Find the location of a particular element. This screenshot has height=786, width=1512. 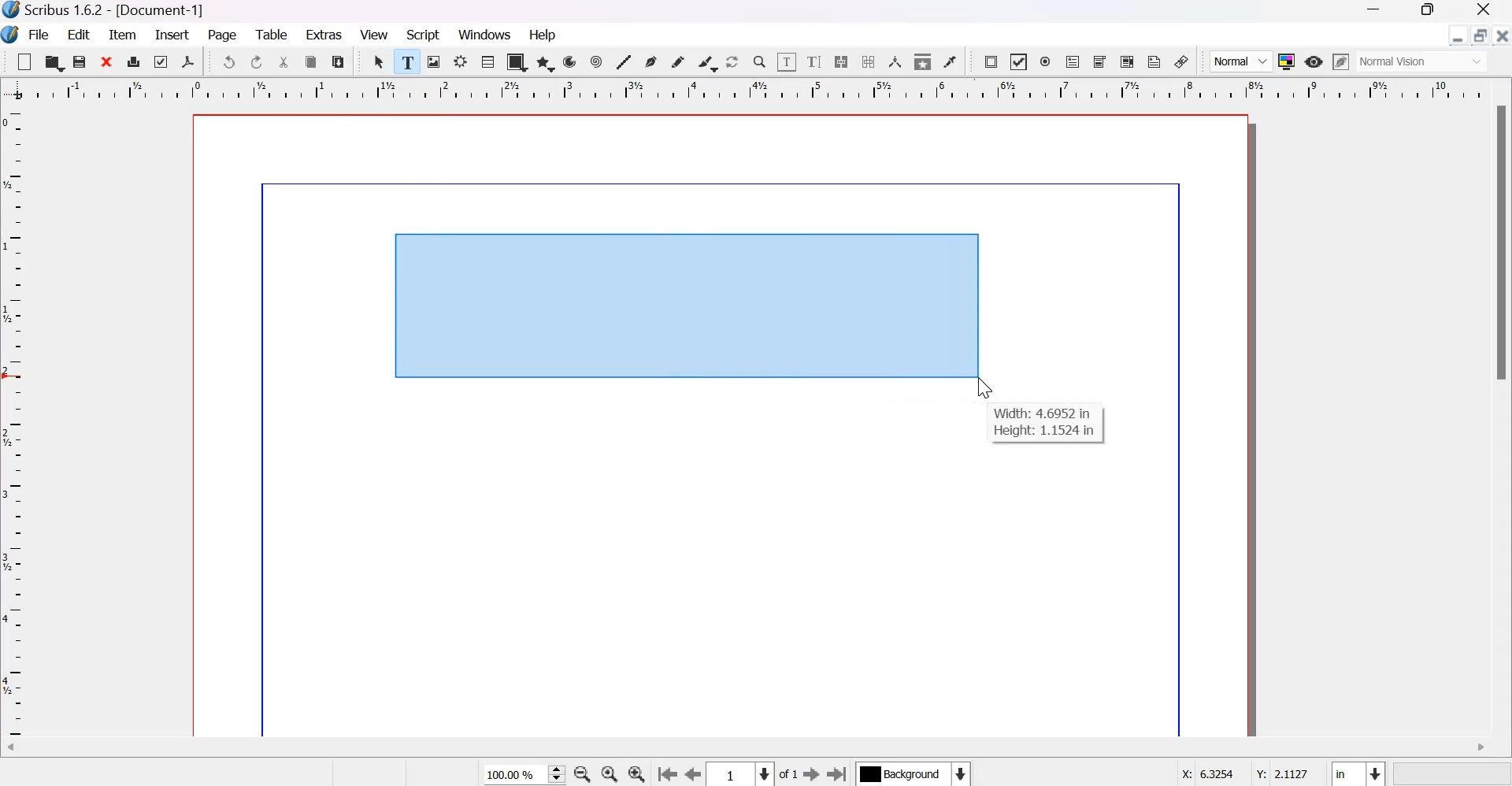

edit text with story editor is located at coordinates (814, 61).